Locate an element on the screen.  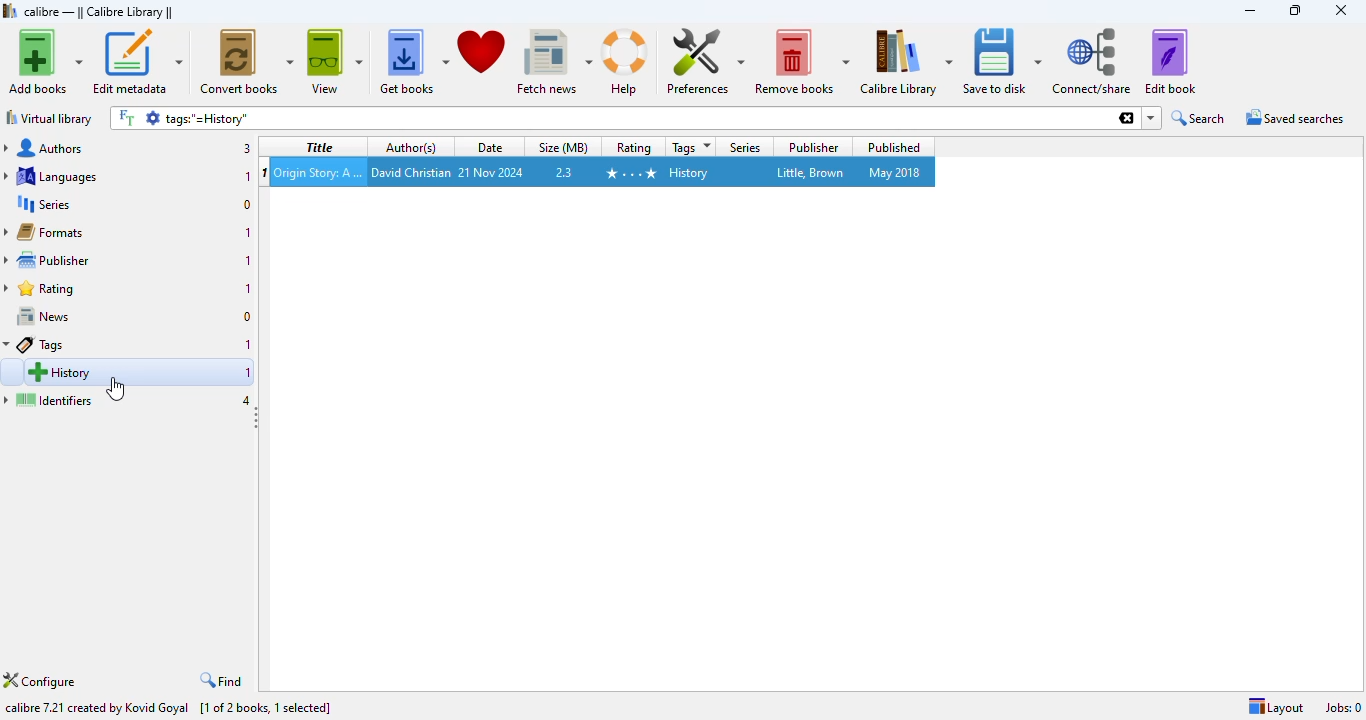
rating is located at coordinates (41, 289).